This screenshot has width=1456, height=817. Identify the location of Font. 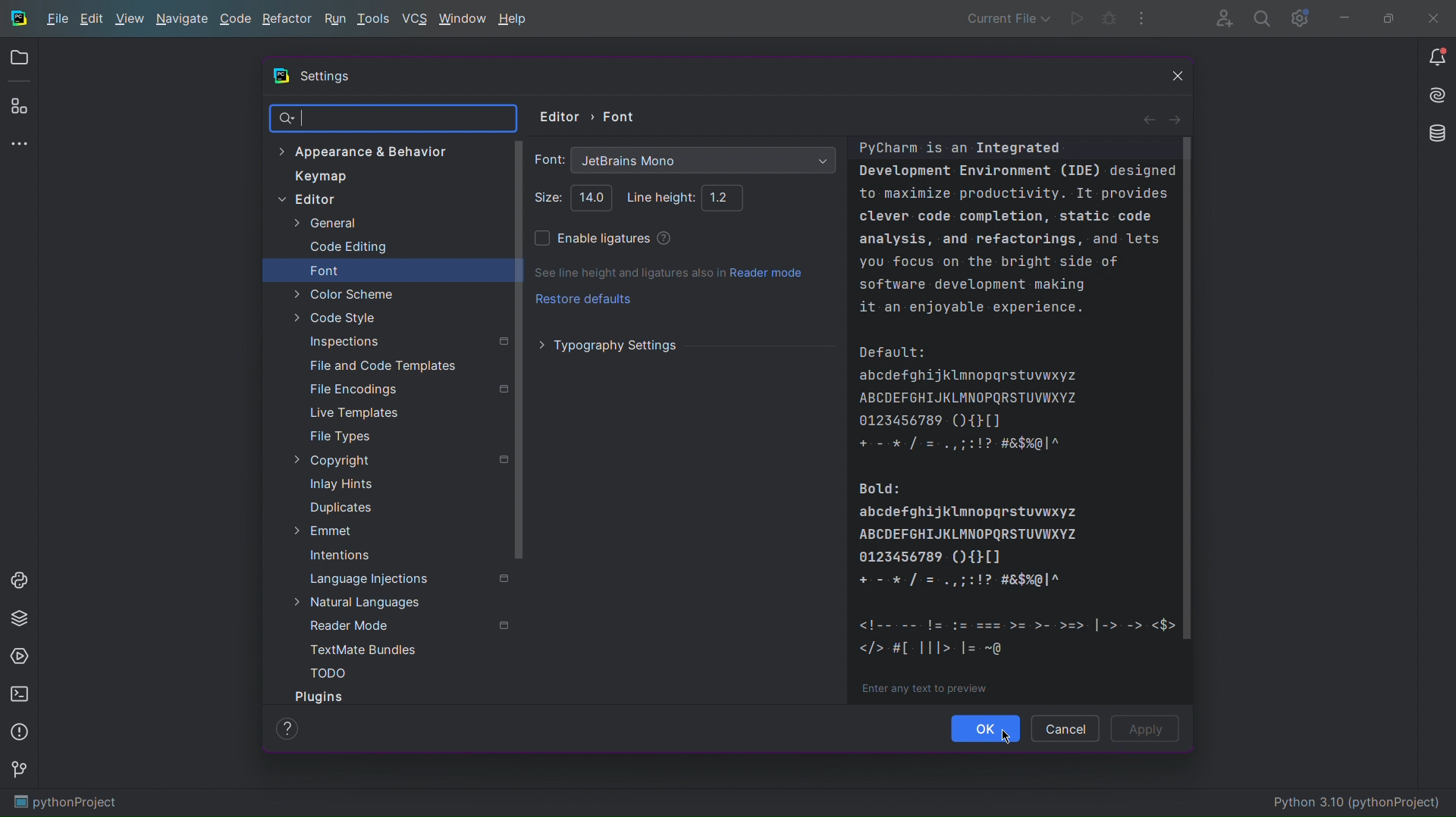
(325, 271).